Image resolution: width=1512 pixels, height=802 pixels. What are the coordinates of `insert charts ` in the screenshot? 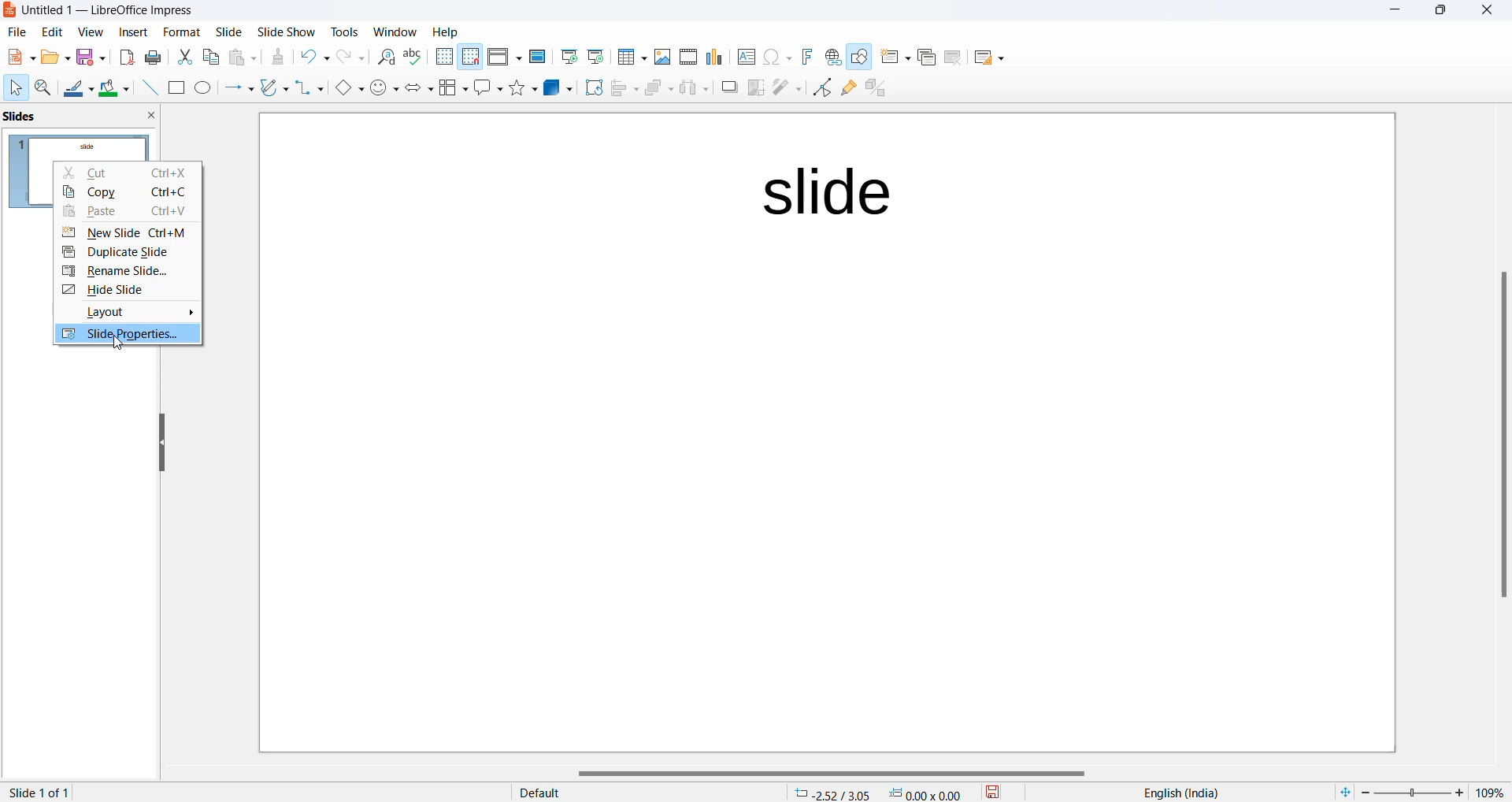 It's located at (716, 57).